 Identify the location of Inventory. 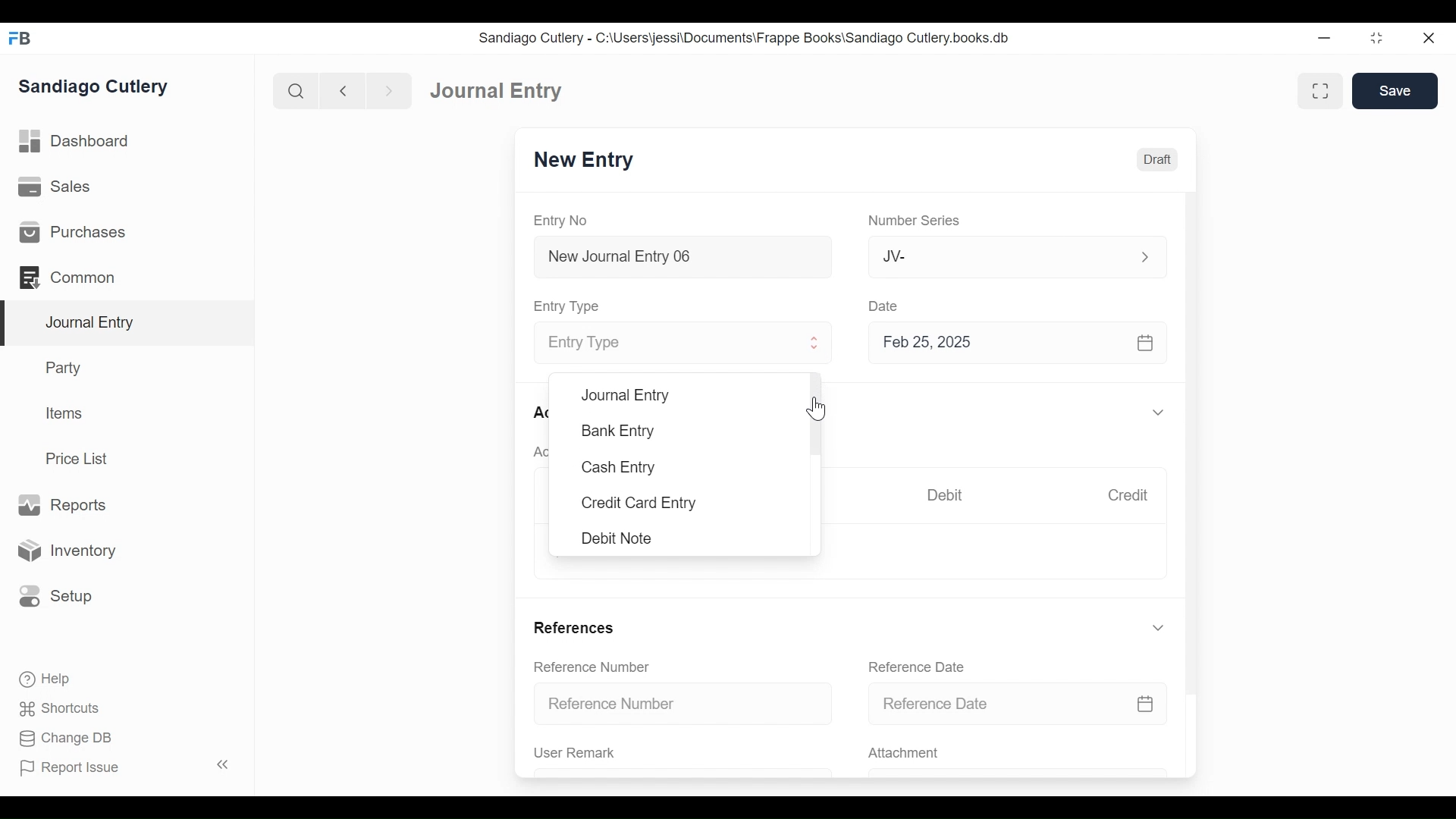
(64, 551).